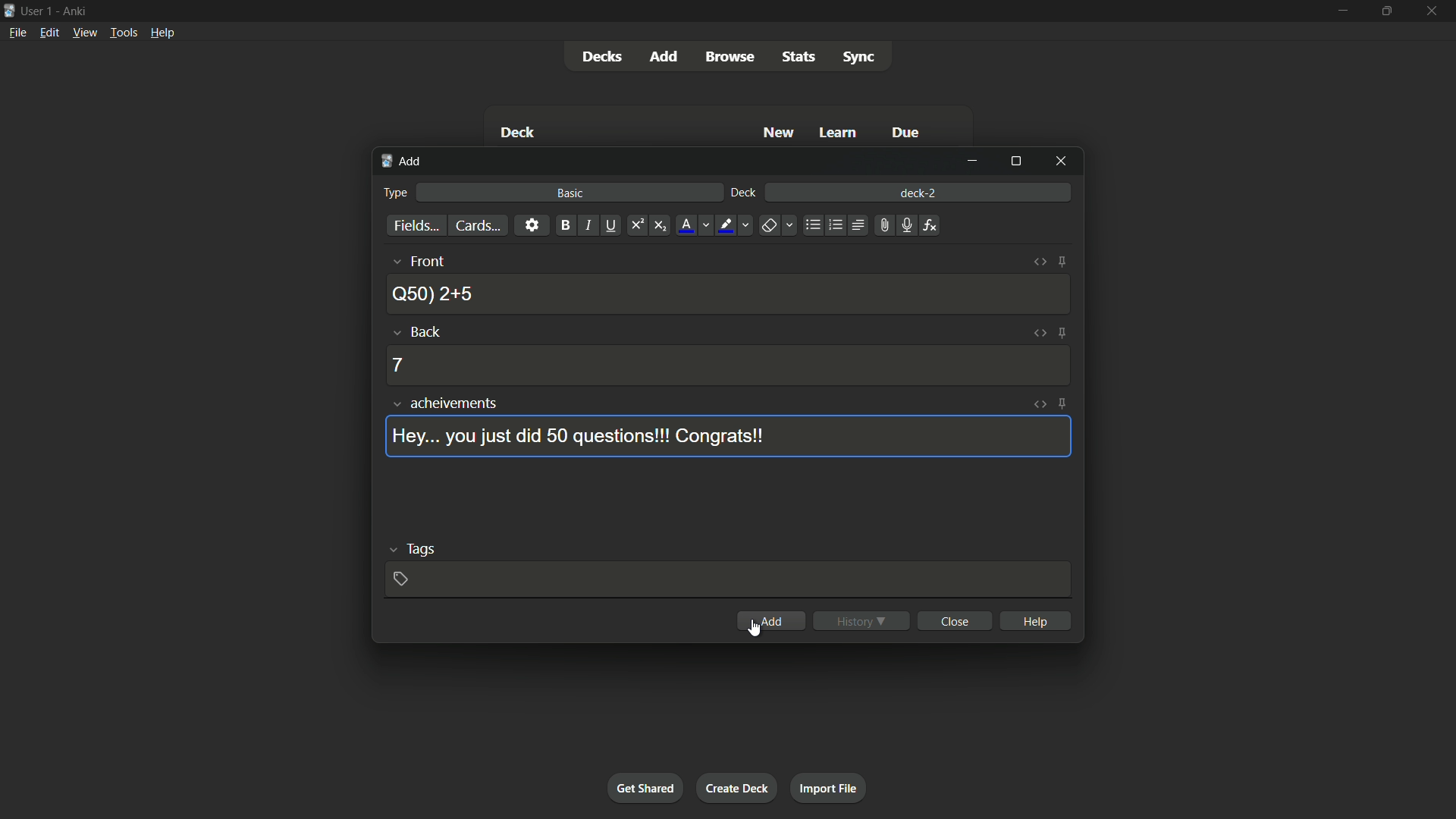 Image resolution: width=1456 pixels, height=819 pixels. Describe the element at coordinates (434, 293) in the screenshot. I see `Q50) 2+5` at that location.